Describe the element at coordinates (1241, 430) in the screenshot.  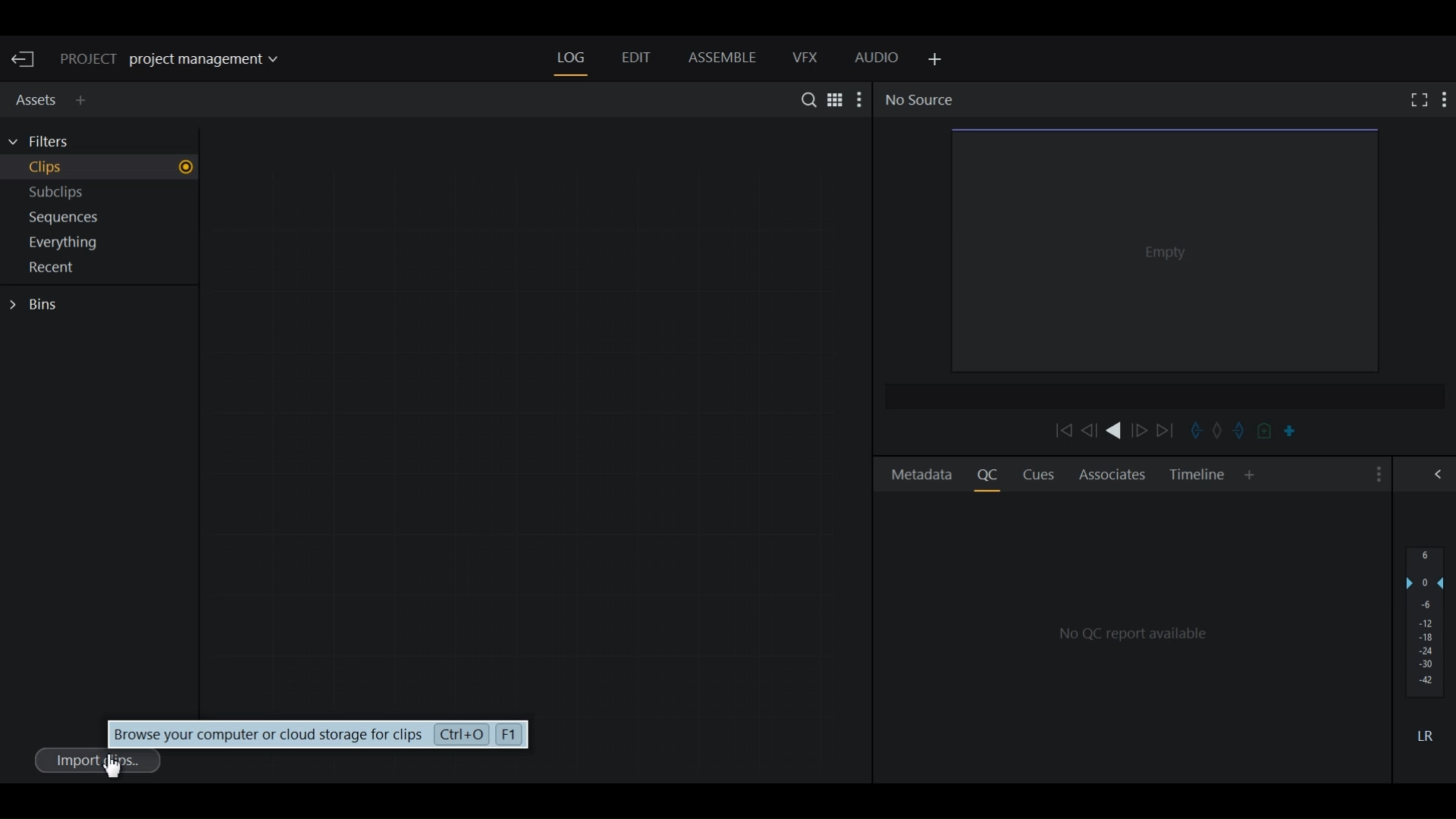
I see `Mark out` at that location.